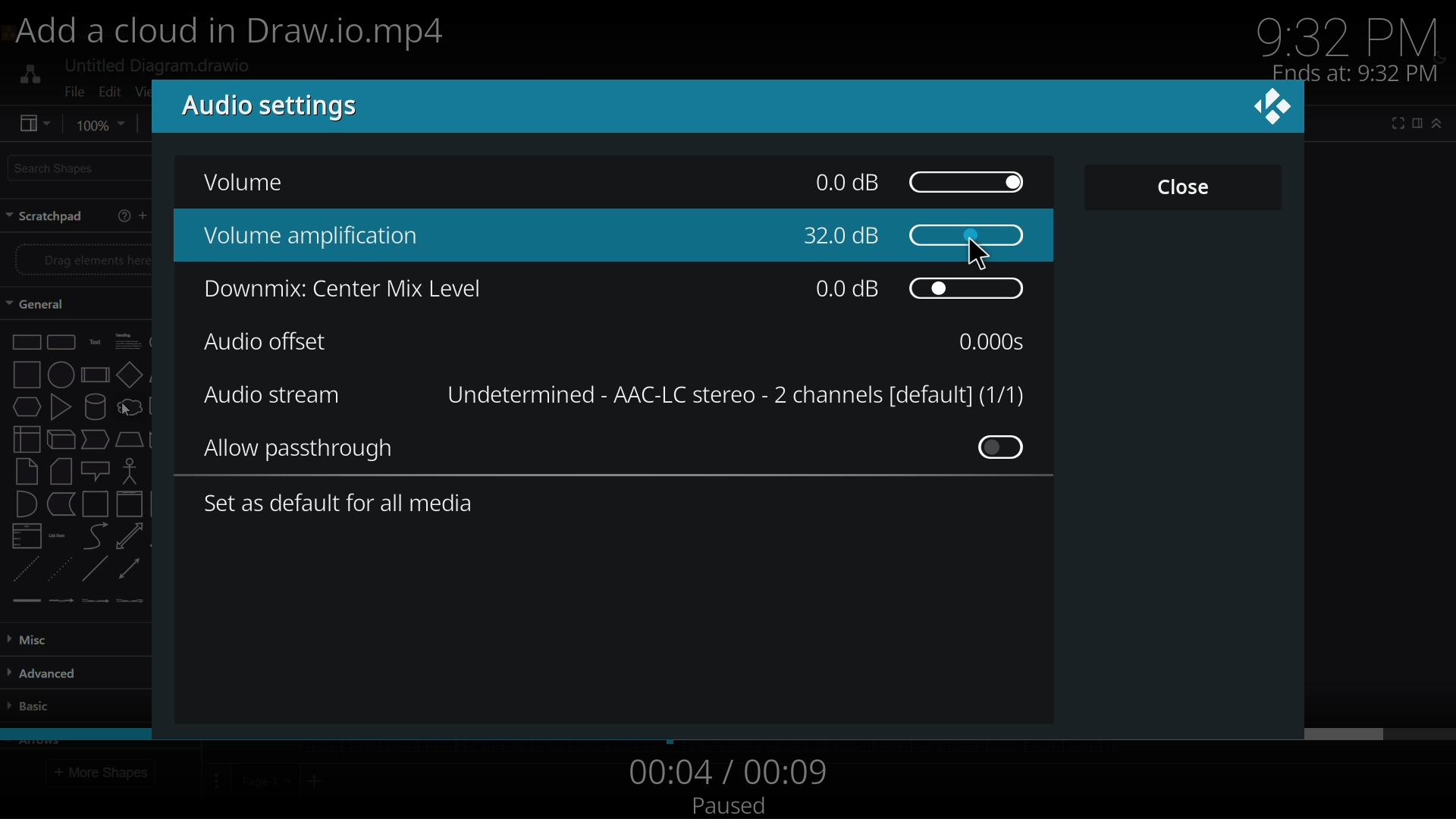 The image size is (1456, 819). I want to click on video string, so click(725, 732).